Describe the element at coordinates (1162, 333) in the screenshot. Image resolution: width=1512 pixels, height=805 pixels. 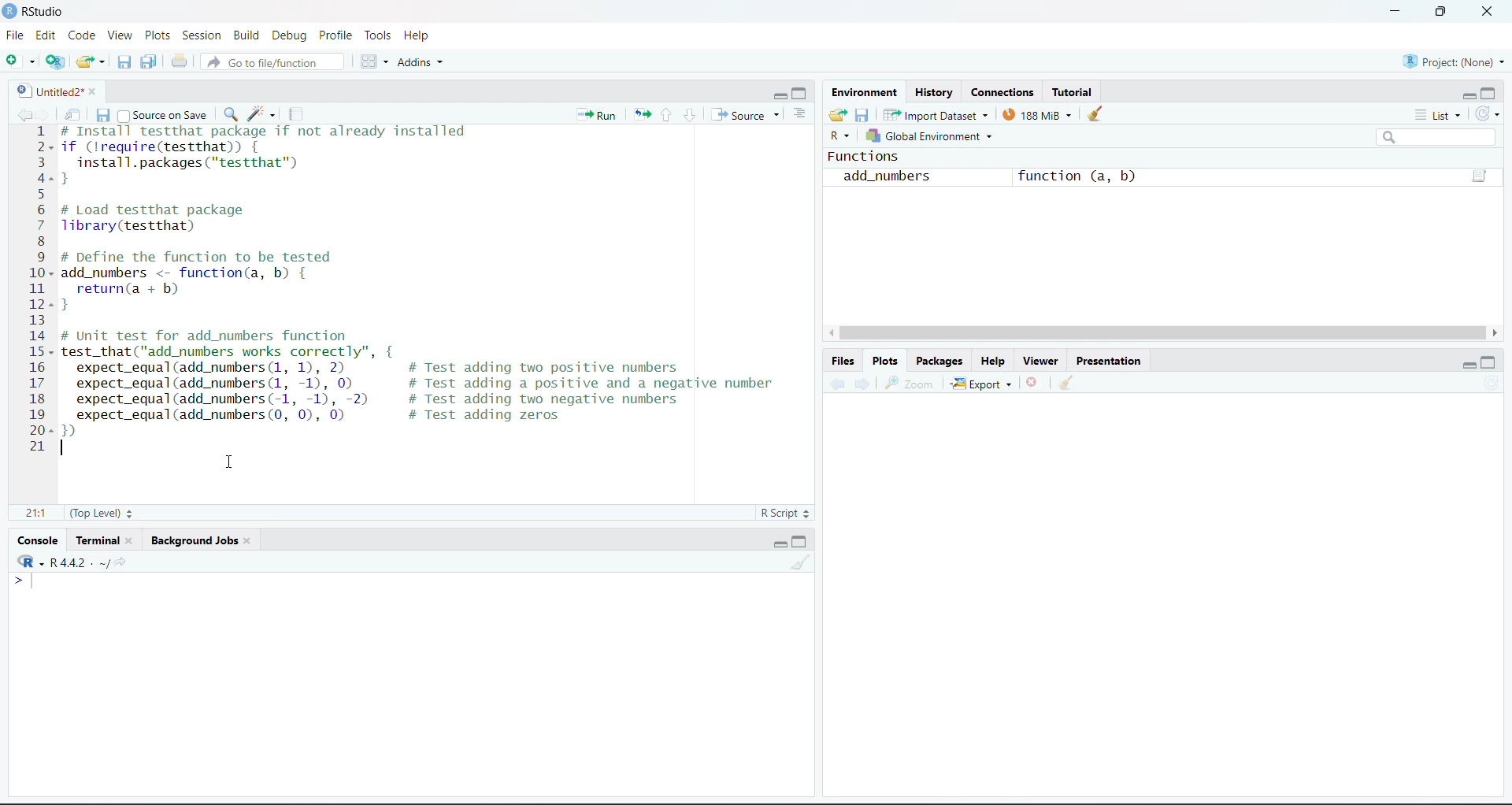
I see `horizontal scroll bar` at that location.